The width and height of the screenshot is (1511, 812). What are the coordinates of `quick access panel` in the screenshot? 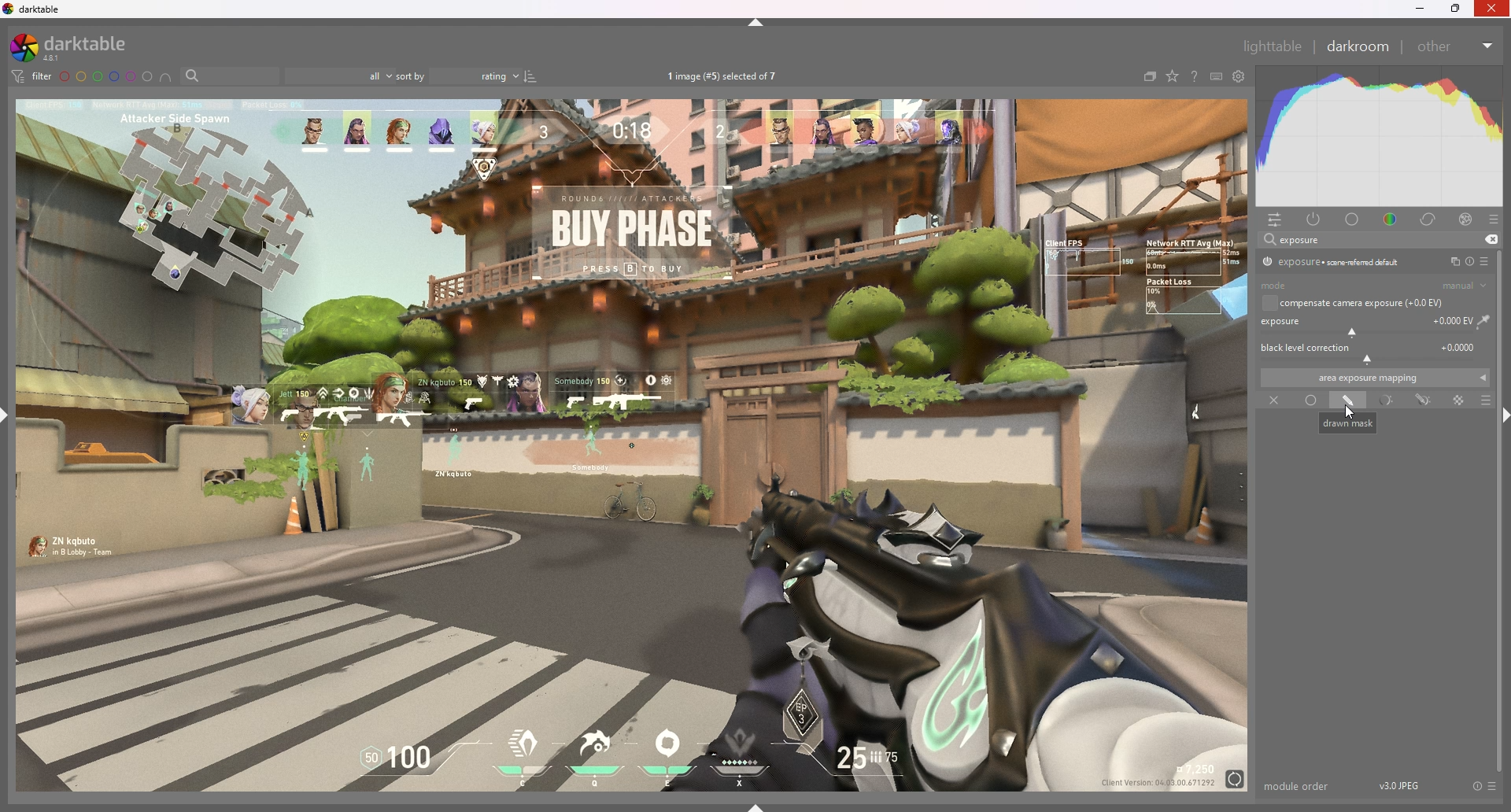 It's located at (1278, 220).